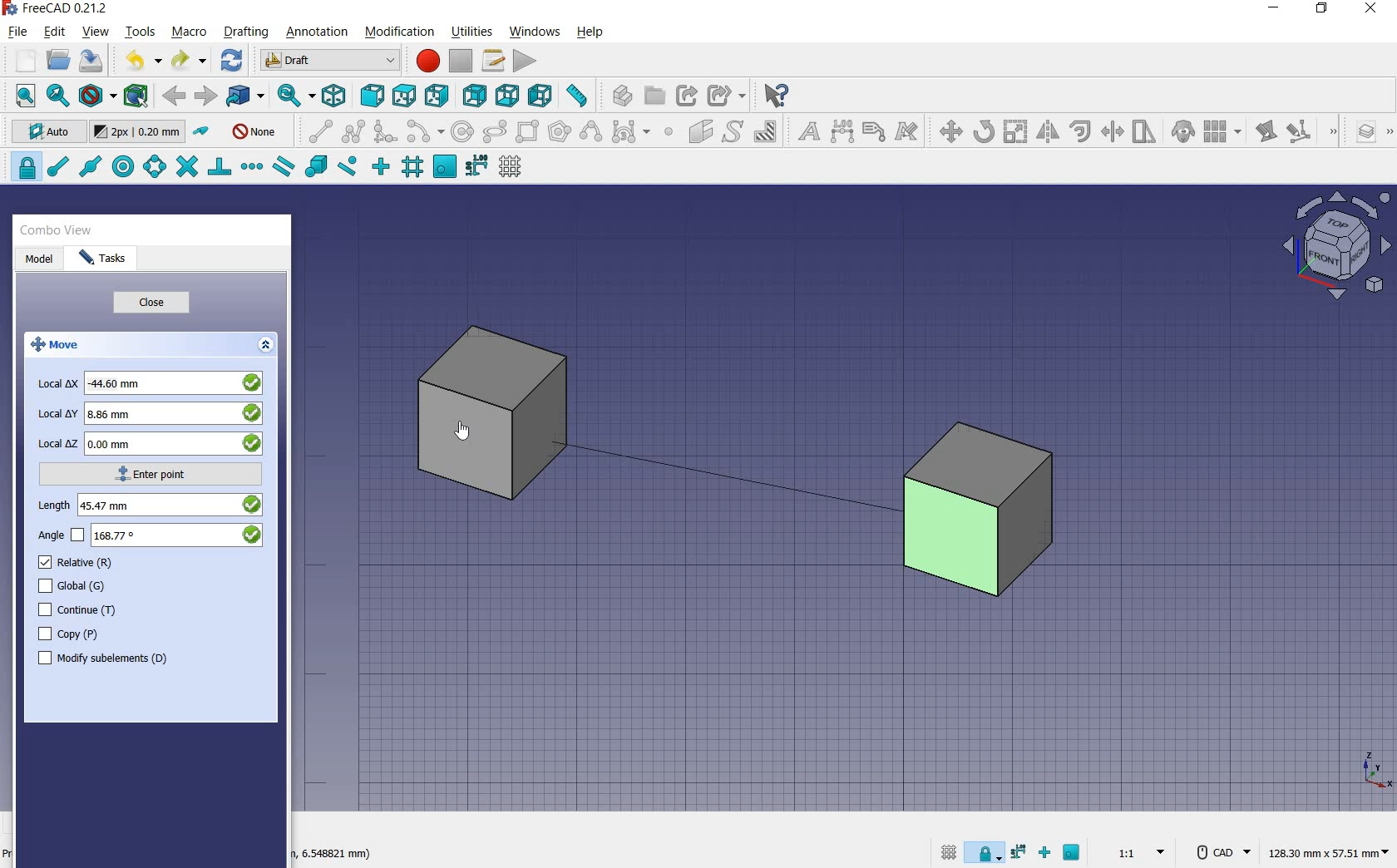  What do you see at coordinates (1390, 133) in the screenshot?
I see `draft utility tools` at bounding box center [1390, 133].